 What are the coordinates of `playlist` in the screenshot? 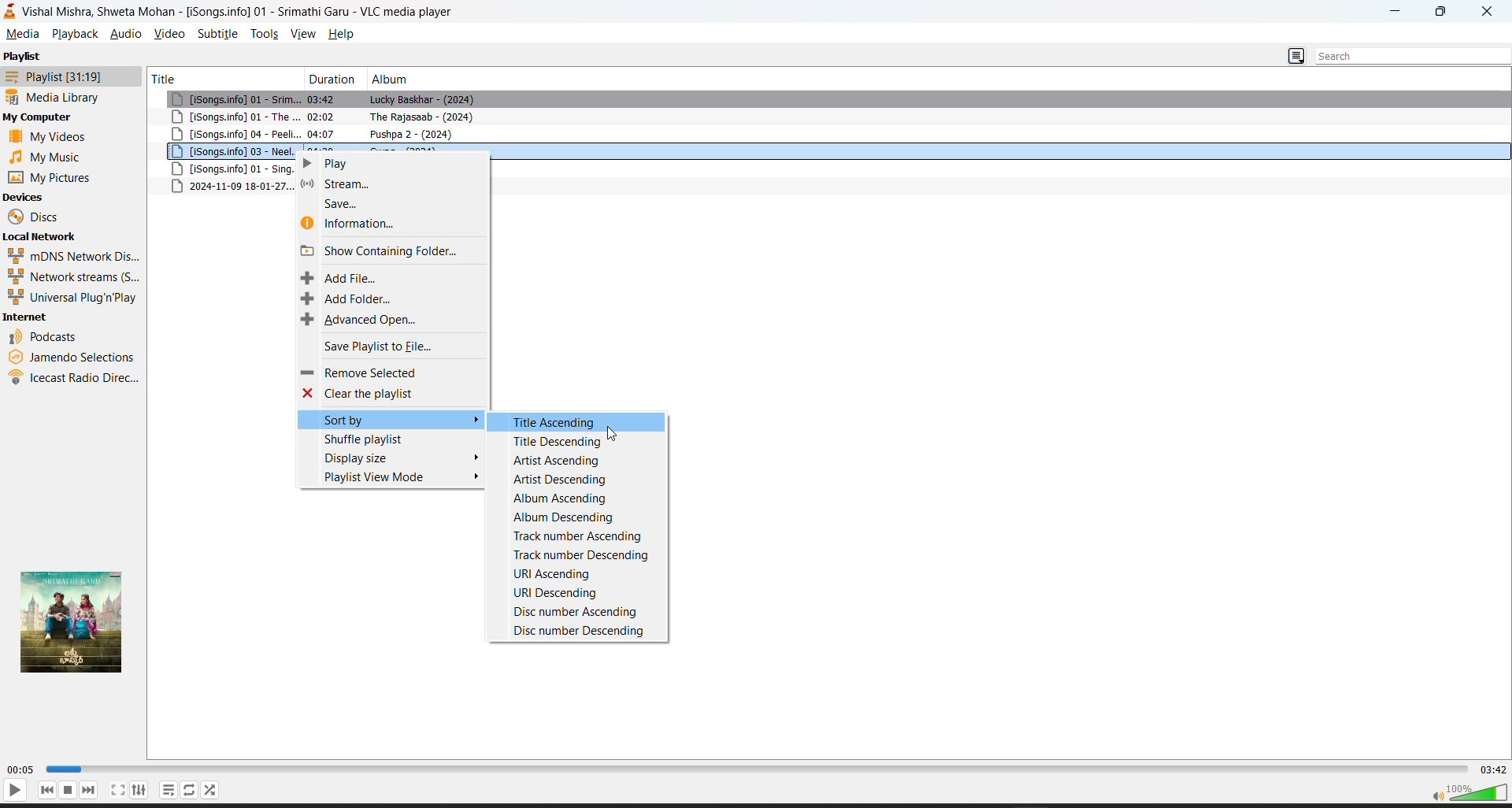 It's located at (24, 55).